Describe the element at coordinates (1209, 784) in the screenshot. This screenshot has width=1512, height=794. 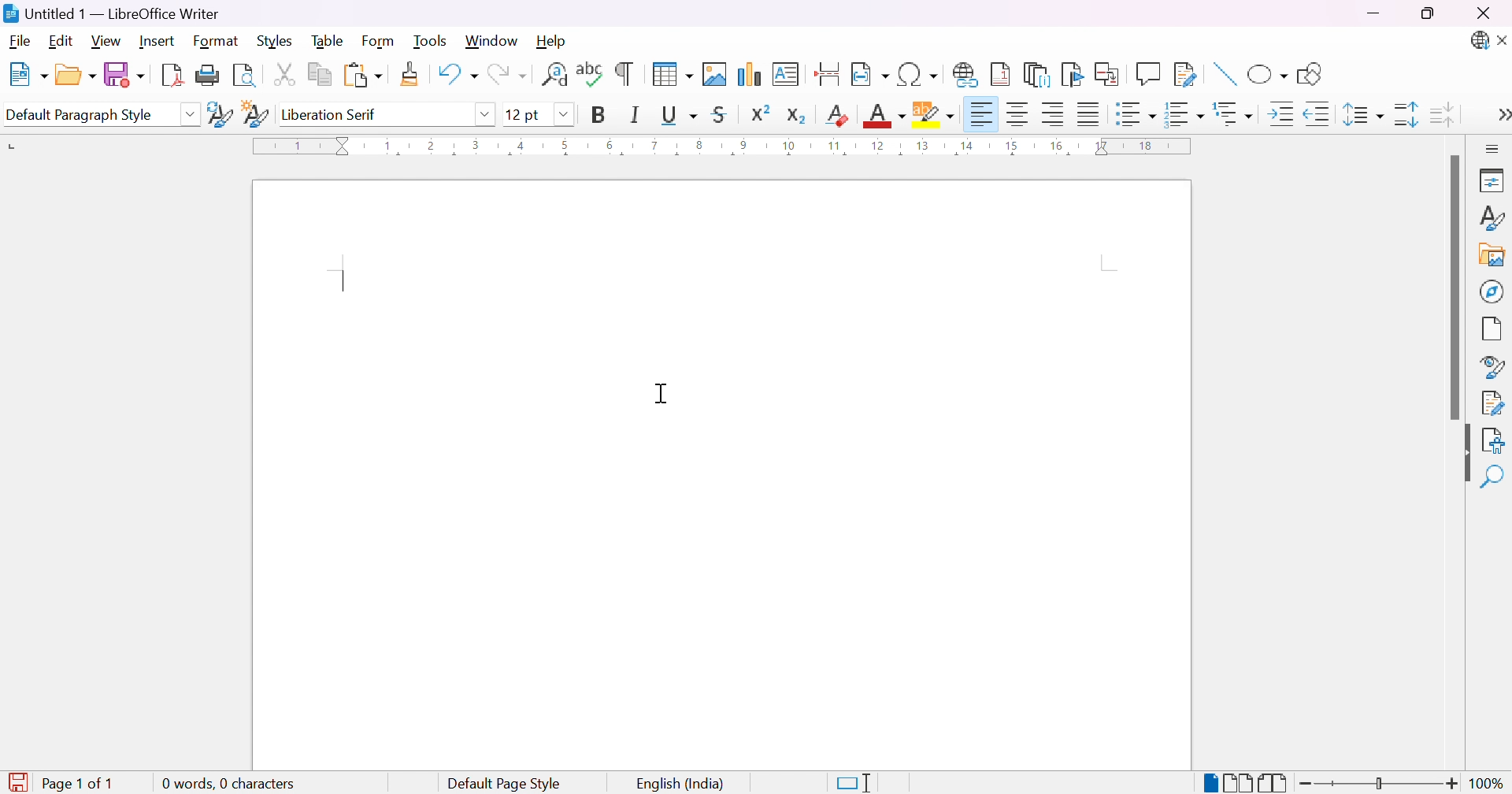
I see `Single-page break` at that location.